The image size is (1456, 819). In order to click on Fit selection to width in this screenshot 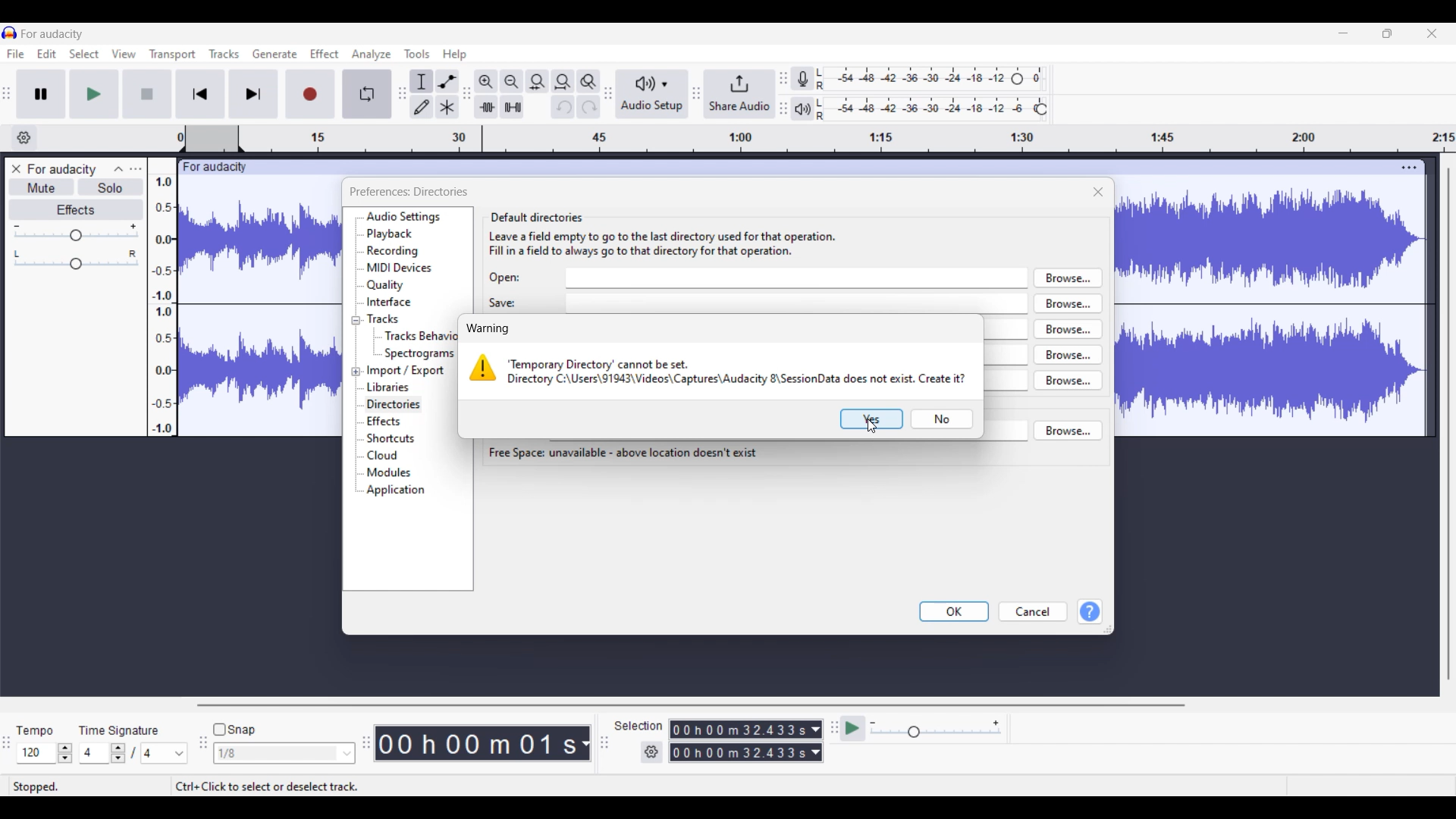, I will do `click(538, 81)`.